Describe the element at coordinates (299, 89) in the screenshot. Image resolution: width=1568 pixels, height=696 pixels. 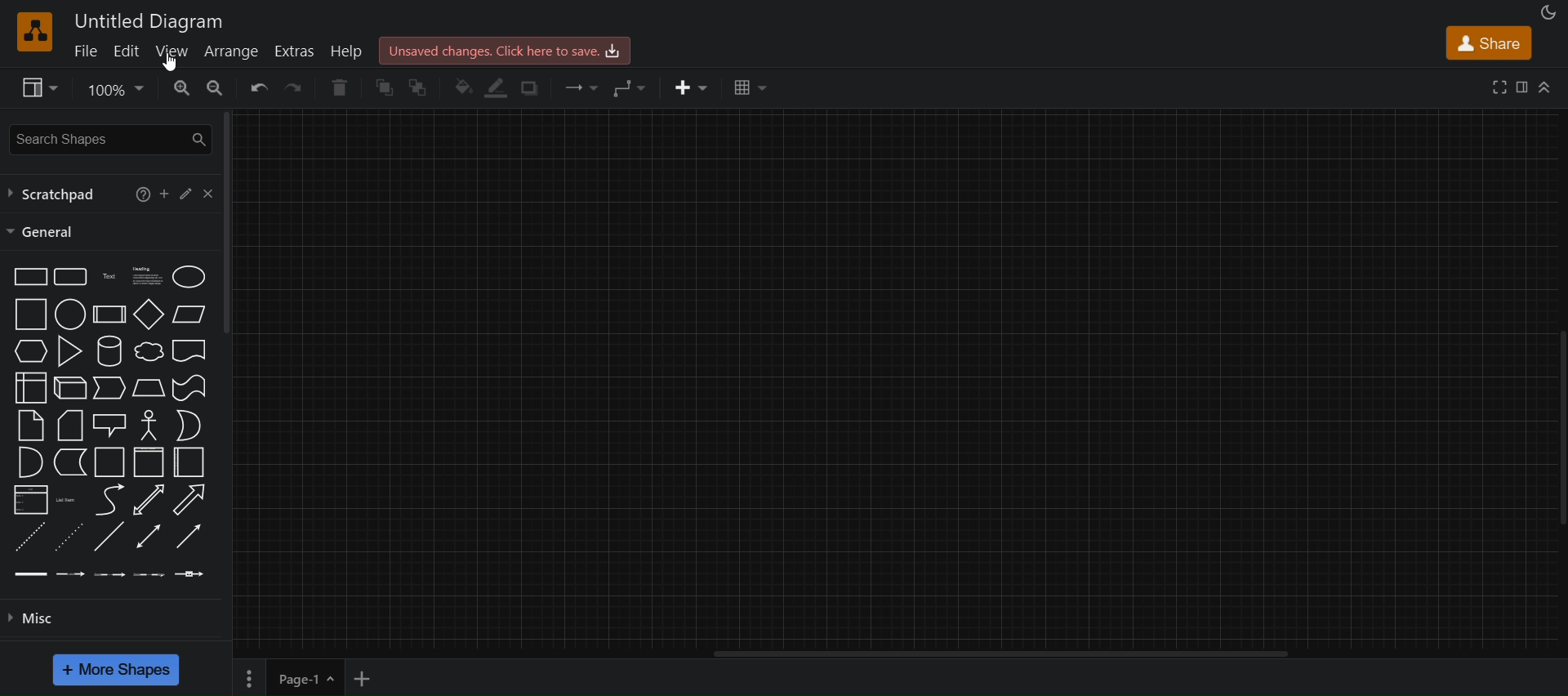
I see `redo` at that location.